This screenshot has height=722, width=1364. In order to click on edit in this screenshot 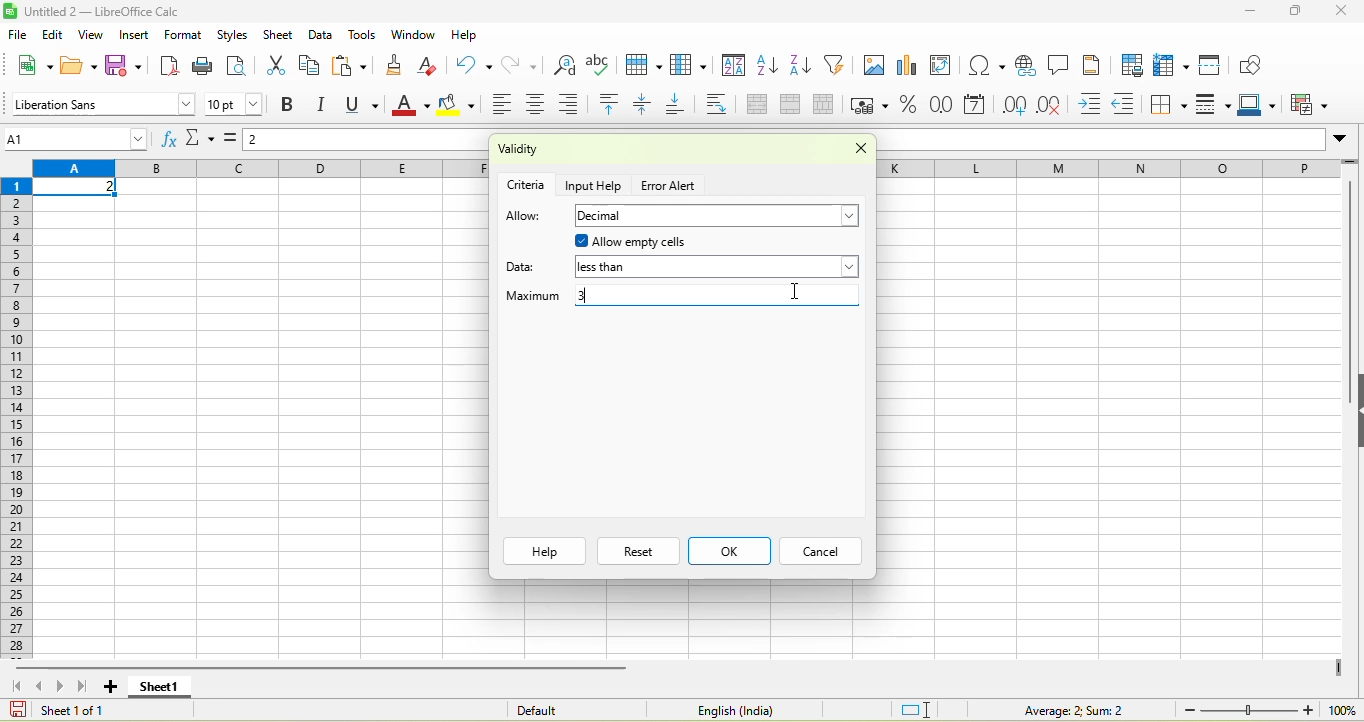, I will do `click(53, 34)`.